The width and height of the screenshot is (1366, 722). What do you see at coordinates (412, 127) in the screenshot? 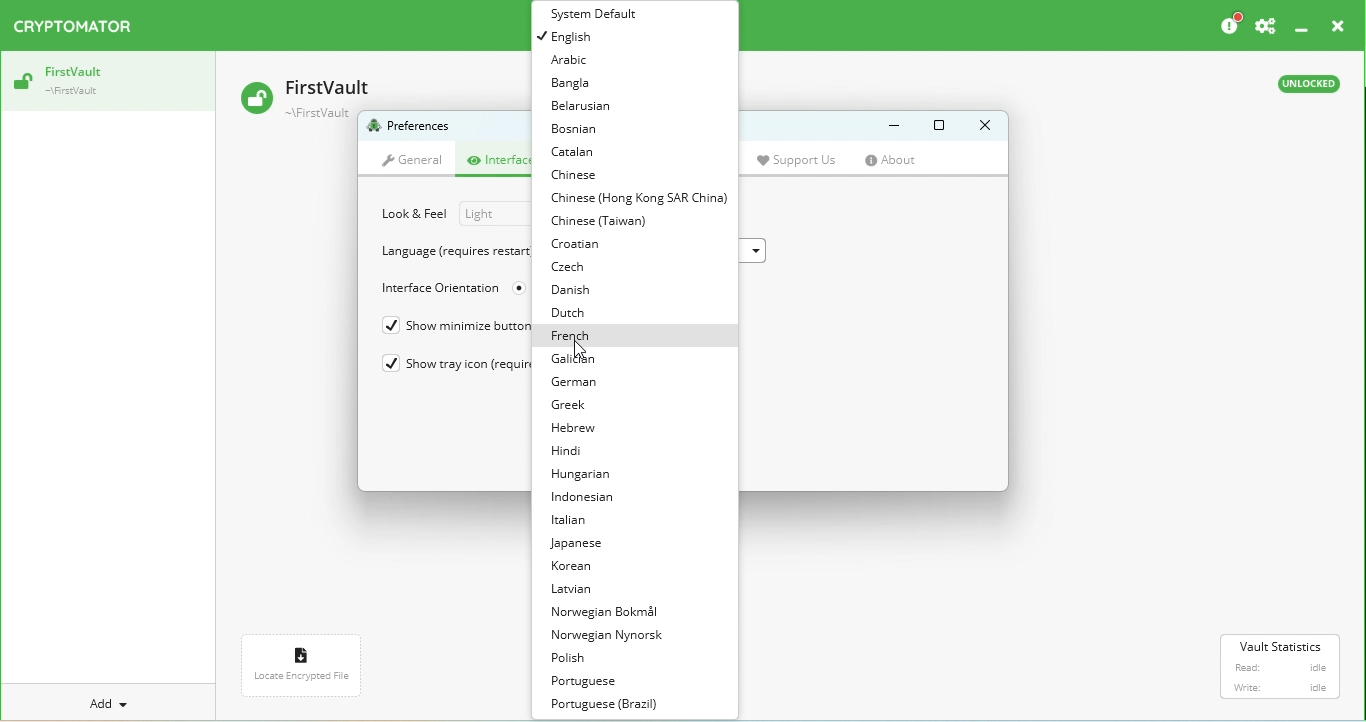
I see `Preferences` at bounding box center [412, 127].